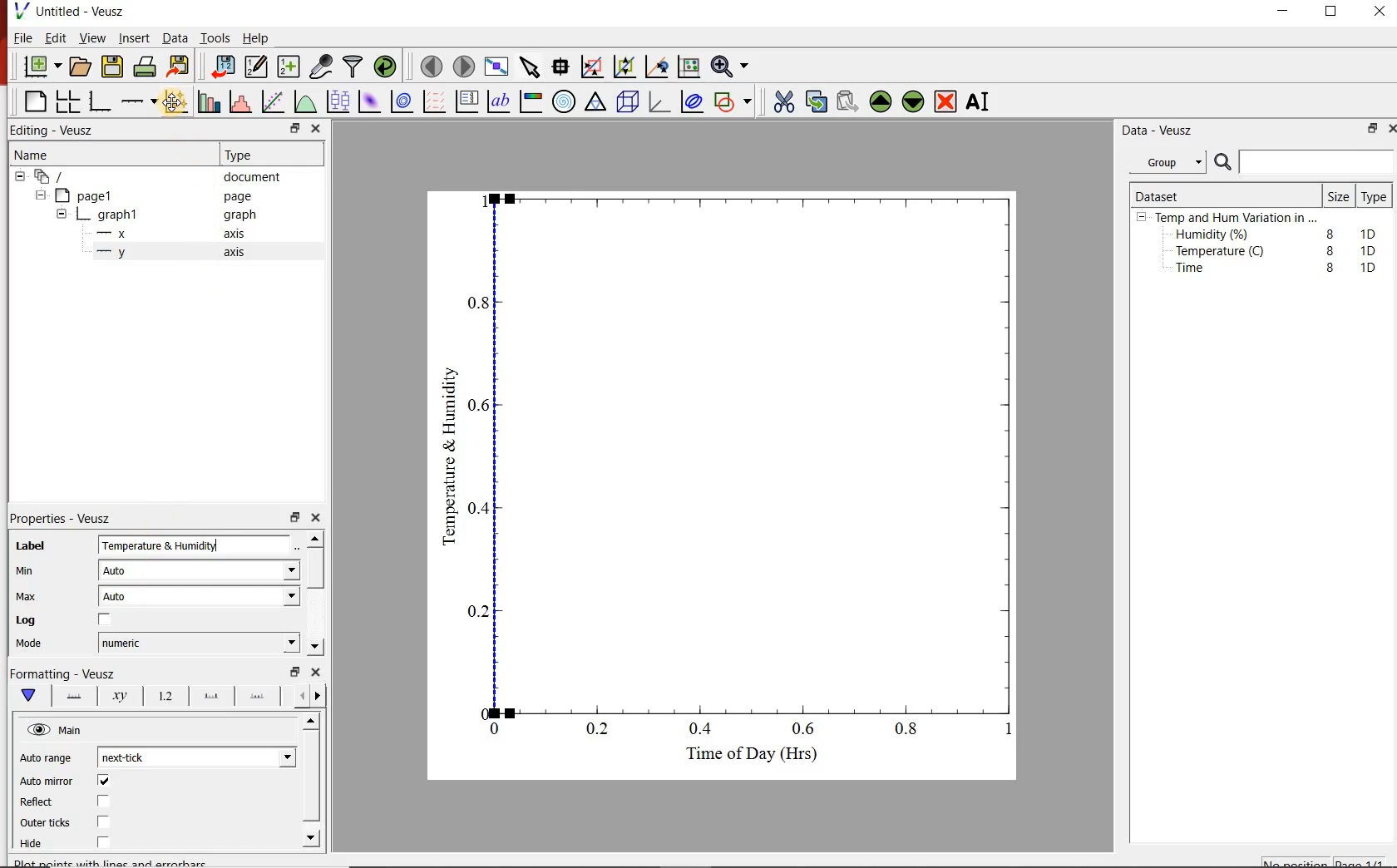 Image resolution: width=1397 pixels, height=868 pixels. Describe the element at coordinates (210, 695) in the screenshot. I see `major ticks` at that location.